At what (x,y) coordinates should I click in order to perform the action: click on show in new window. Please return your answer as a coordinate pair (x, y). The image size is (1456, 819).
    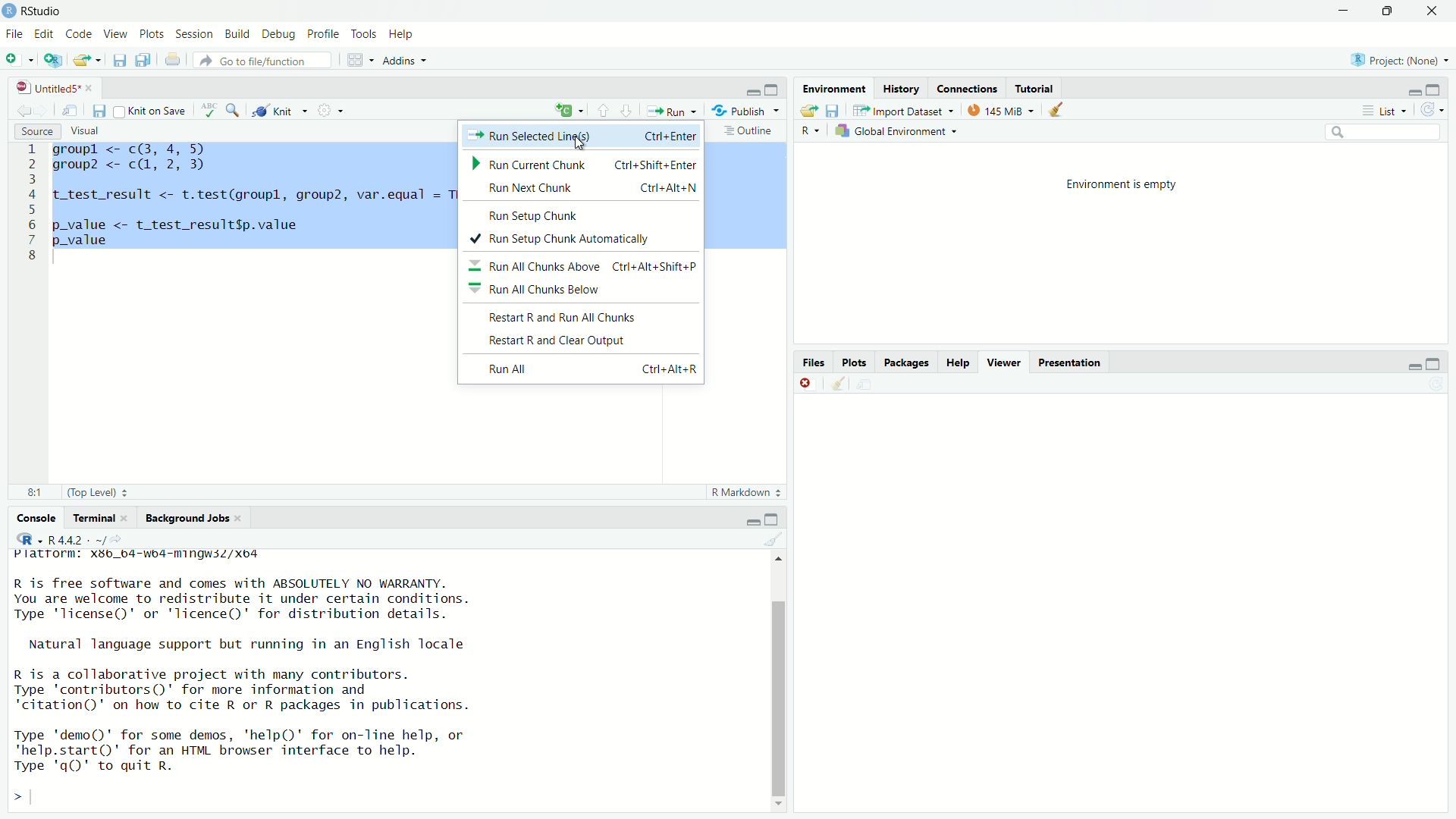
    Looking at the image, I should click on (70, 109).